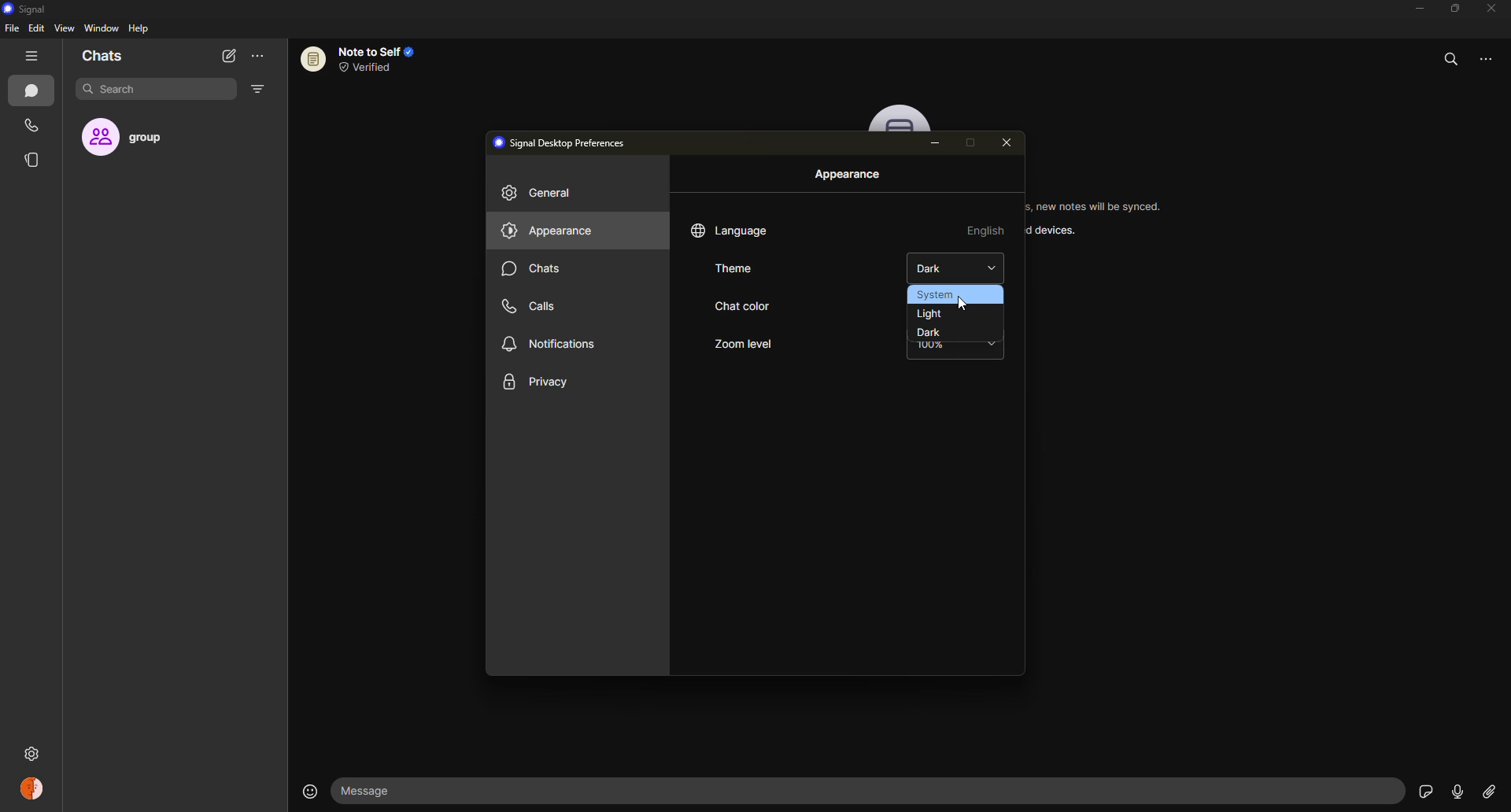  I want to click on new chat, so click(228, 55).